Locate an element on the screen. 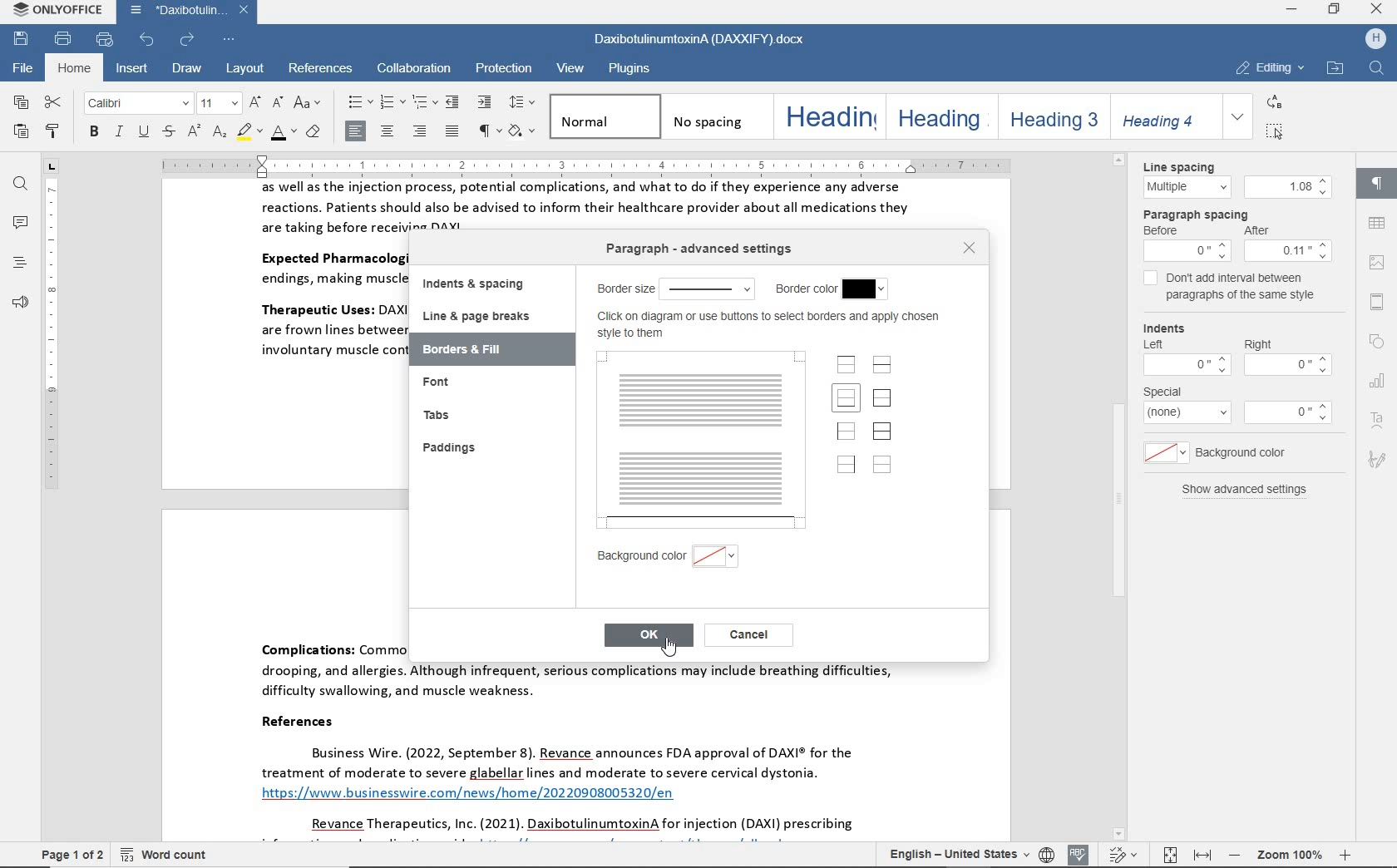 The image size is (1397, 868). draw is located at coordinates (189, 71).